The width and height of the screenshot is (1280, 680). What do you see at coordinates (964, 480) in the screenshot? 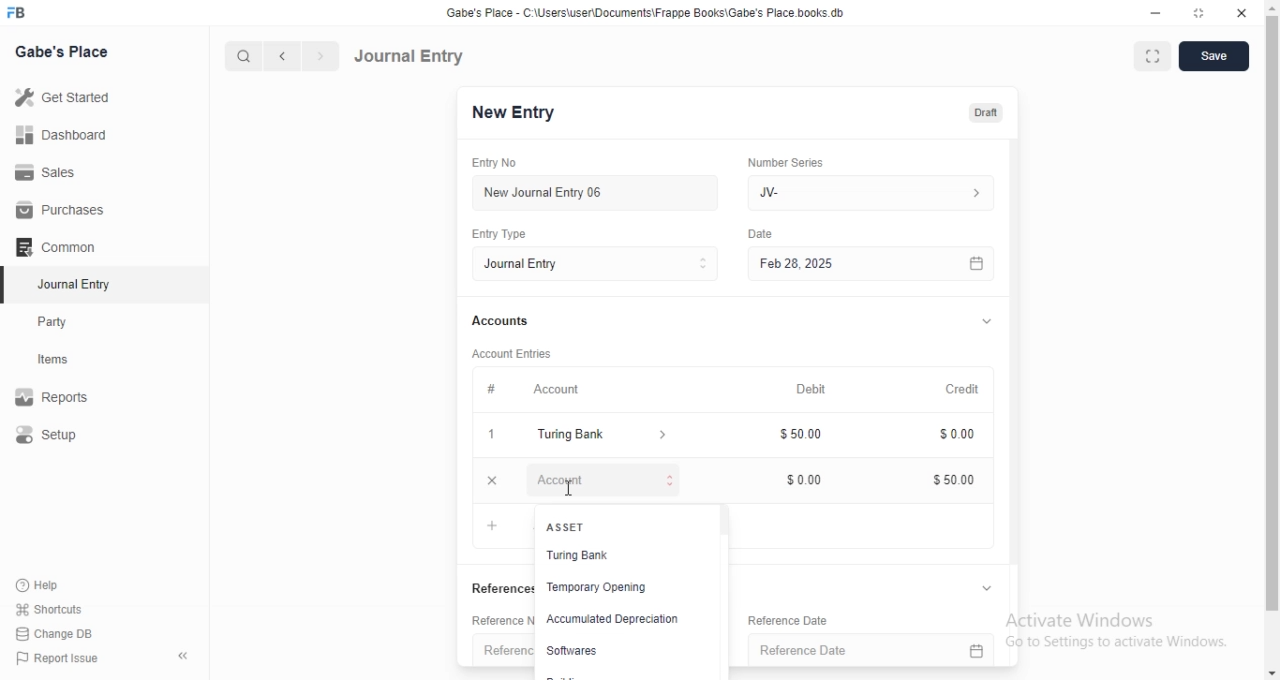
I see `$5000` at bounding box center [964, 480].